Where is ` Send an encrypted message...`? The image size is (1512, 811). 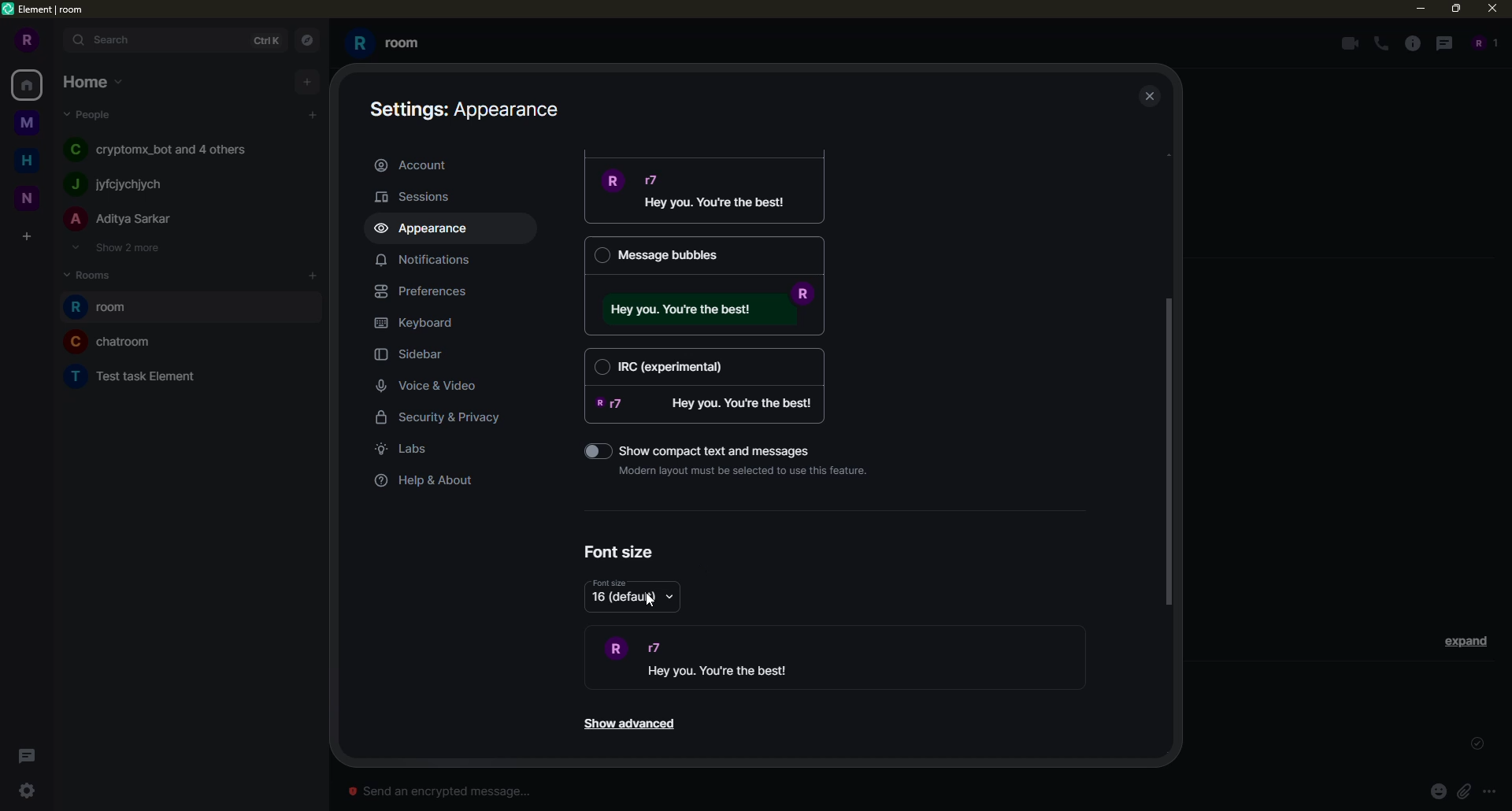
 Send an encrypted message... is located at coordinates (439, 791).